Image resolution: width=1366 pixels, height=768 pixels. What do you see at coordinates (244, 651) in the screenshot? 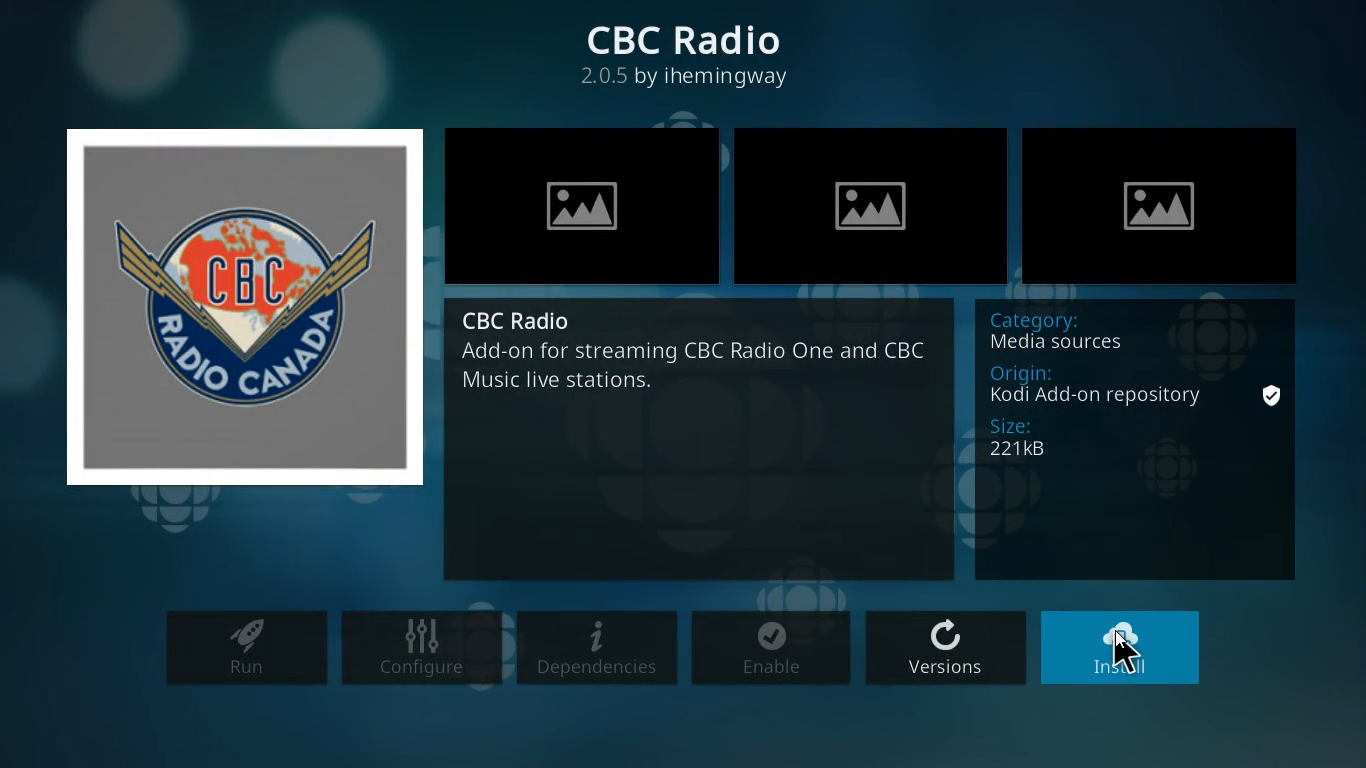
I see `run` at bounding box center [244, 651].